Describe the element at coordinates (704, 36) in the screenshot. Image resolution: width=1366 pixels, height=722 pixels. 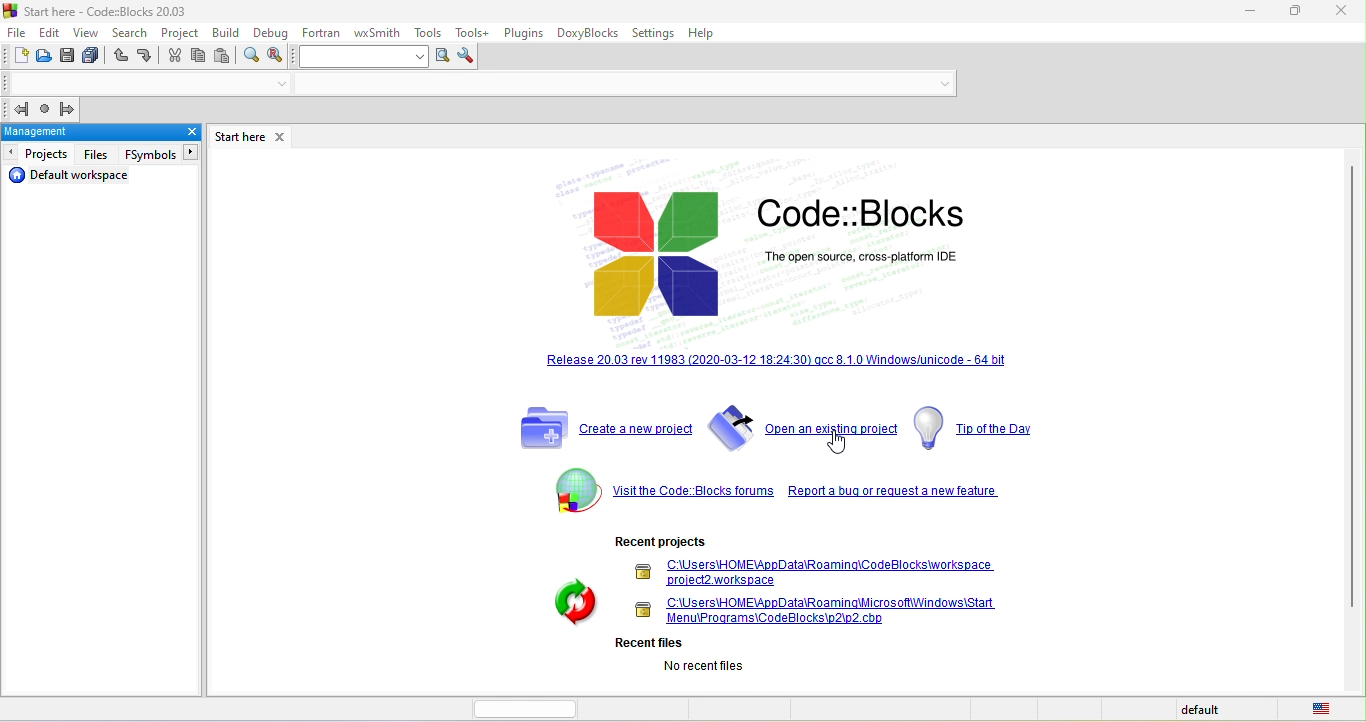
I see `help` at that location.